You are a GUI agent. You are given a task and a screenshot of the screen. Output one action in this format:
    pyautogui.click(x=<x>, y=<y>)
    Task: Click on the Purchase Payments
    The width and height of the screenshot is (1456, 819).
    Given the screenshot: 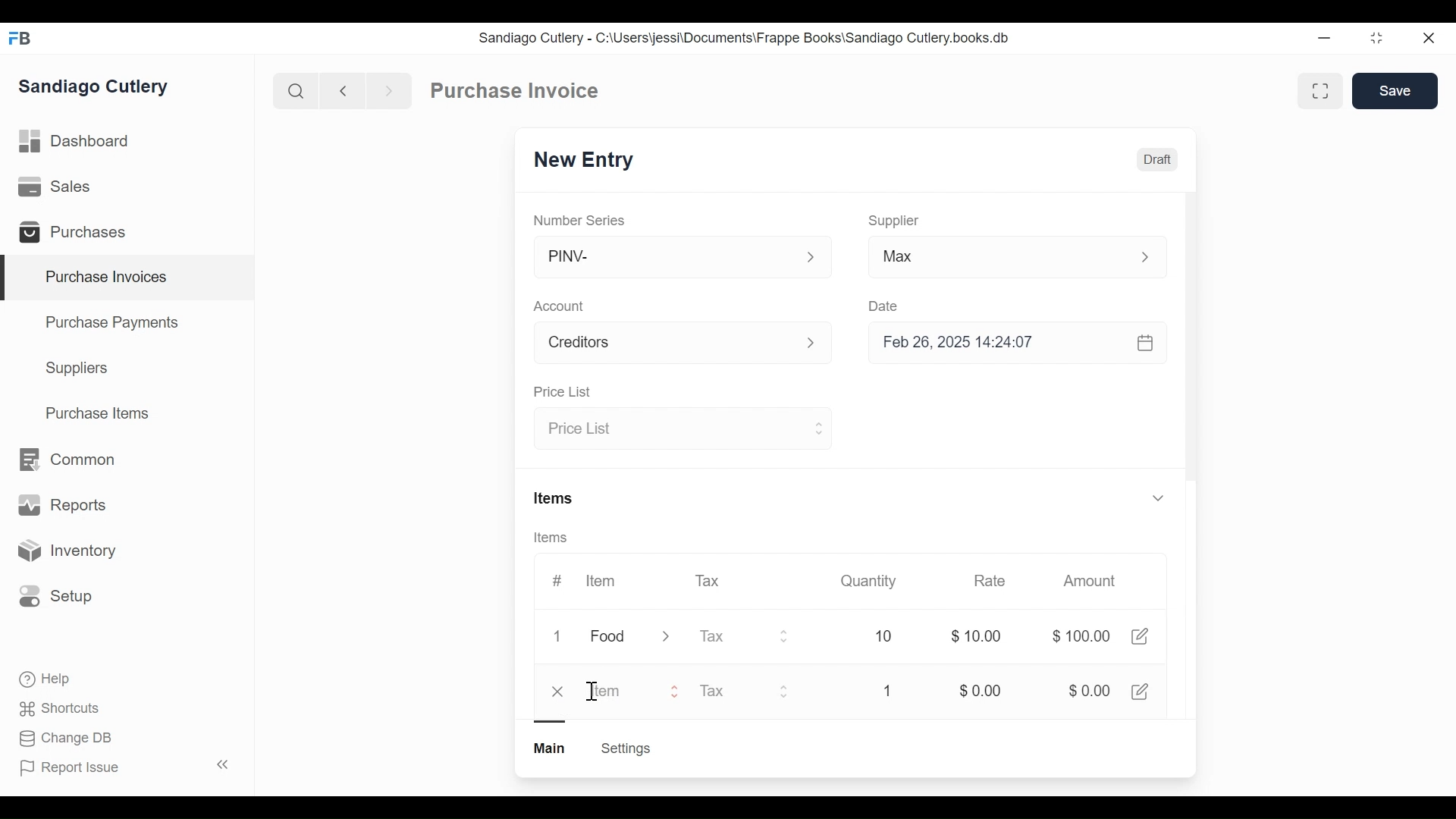 What is the action you would take?
    pyautogui.click(x=115, y=325)
    